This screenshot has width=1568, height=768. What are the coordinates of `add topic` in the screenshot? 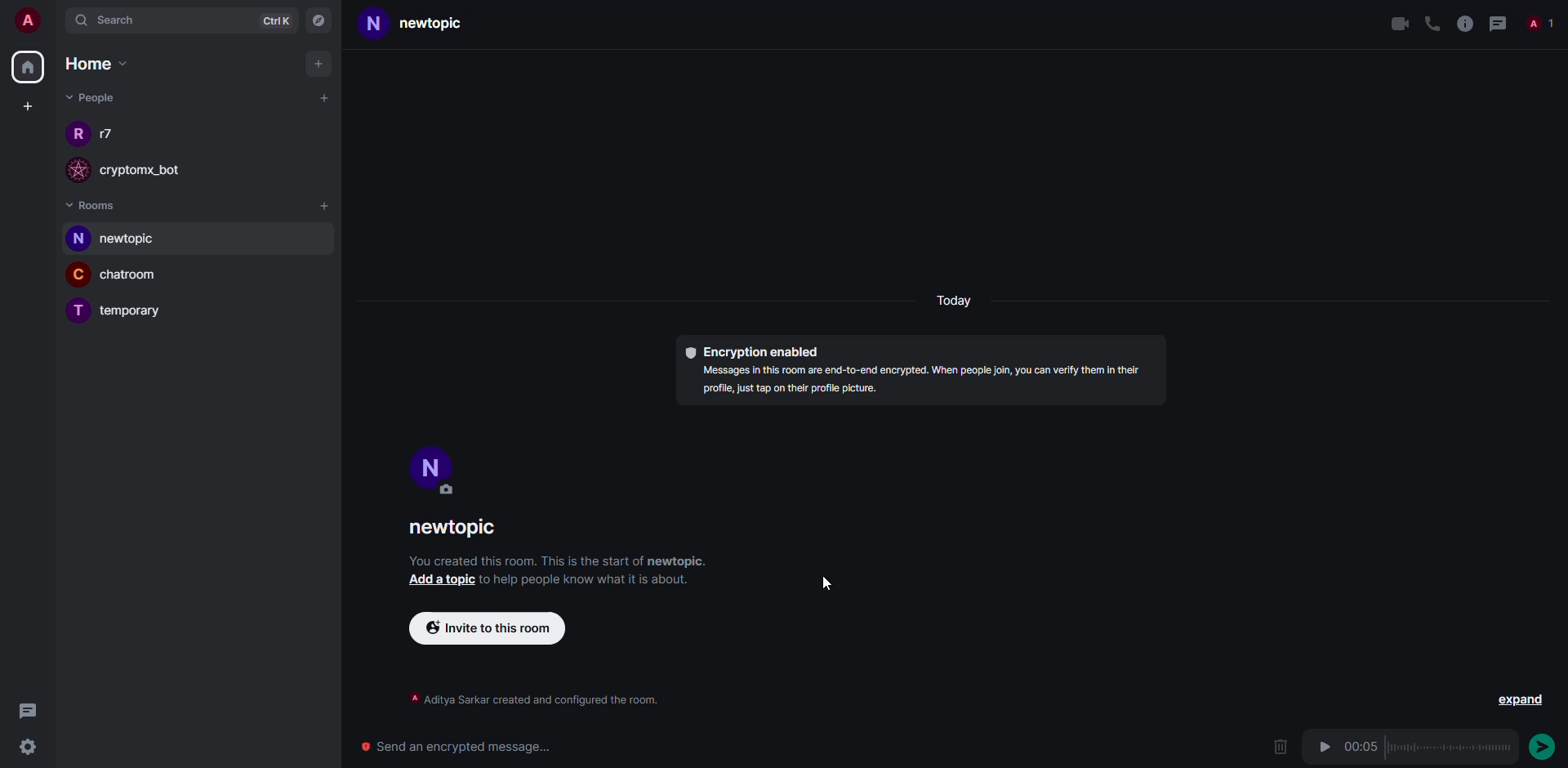 It's located at (442, 581).